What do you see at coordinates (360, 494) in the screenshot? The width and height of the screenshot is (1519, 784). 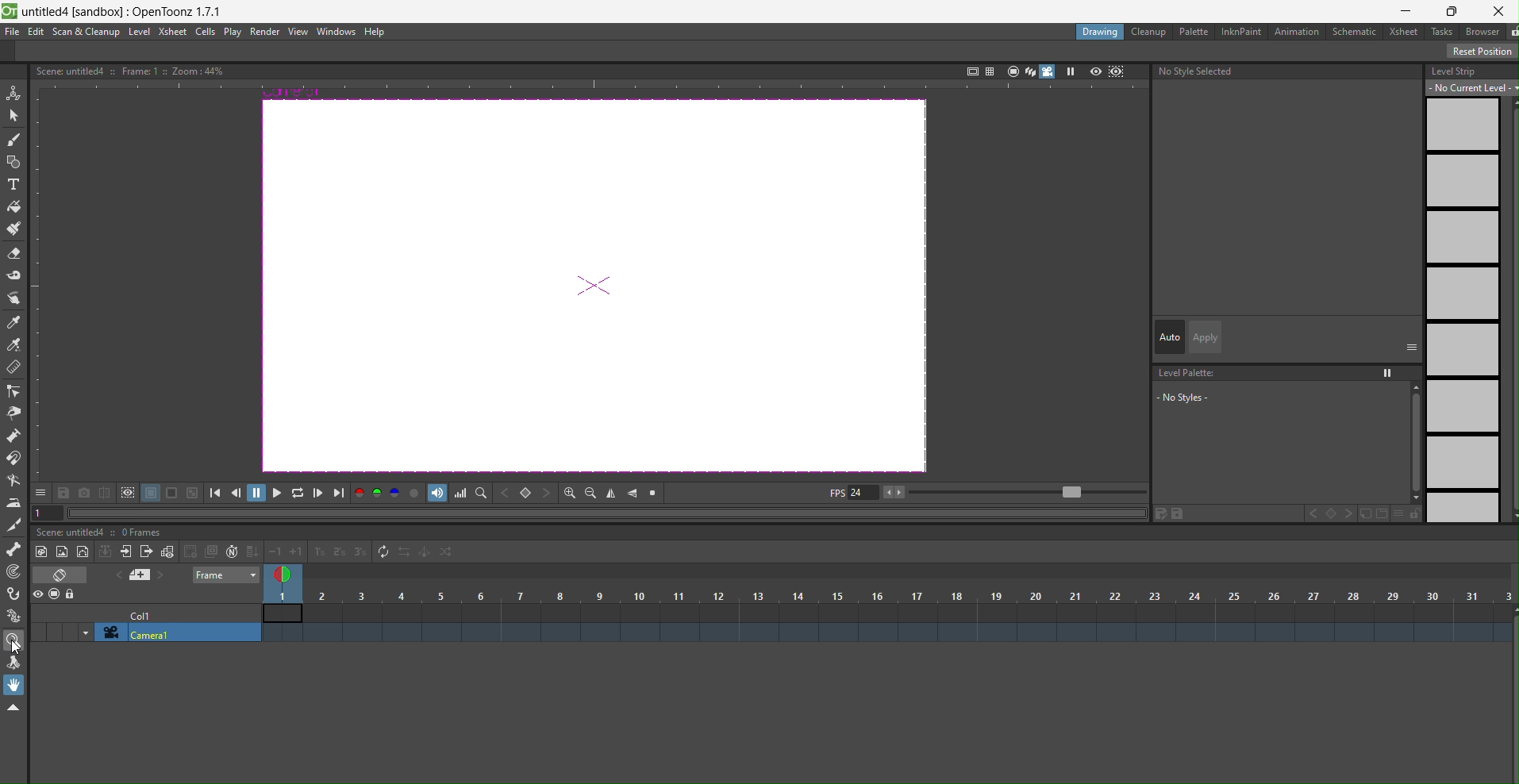 I see `red` at bounding box center [360, 494].